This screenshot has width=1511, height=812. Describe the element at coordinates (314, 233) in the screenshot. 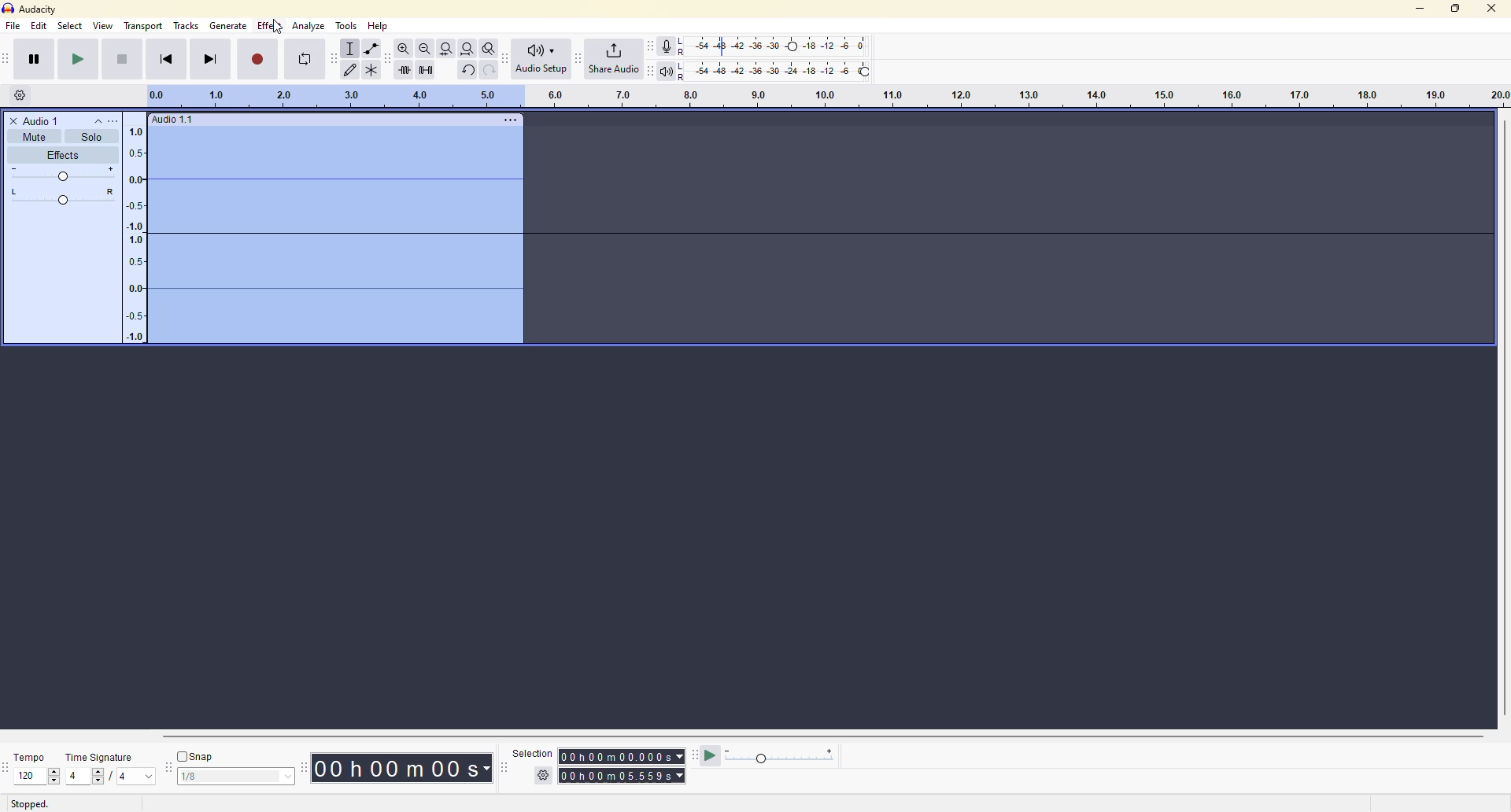

I see `audio` at that location.